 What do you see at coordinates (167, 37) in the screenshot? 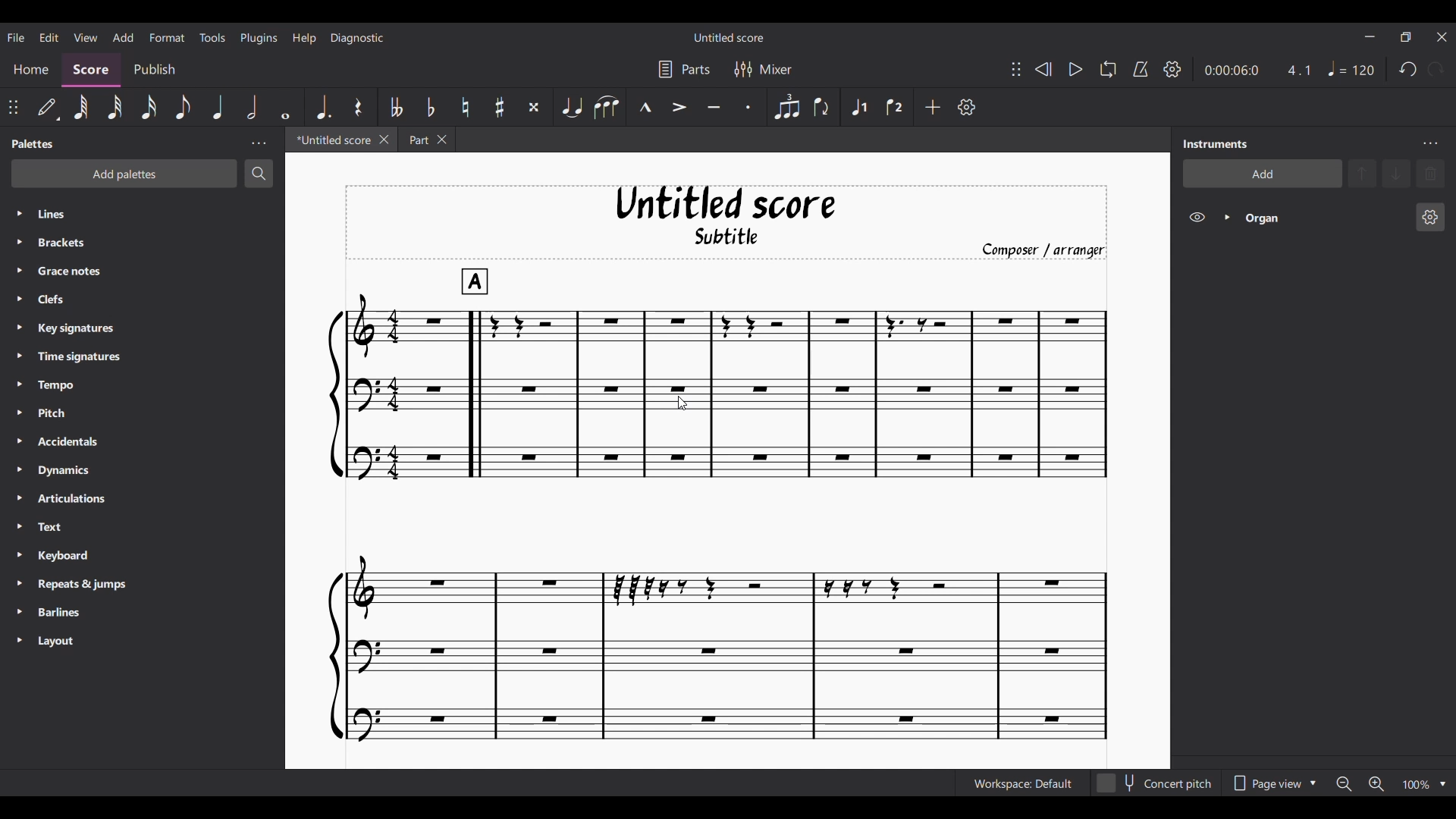
I see `Format menu` at bounding box center [167, 37].